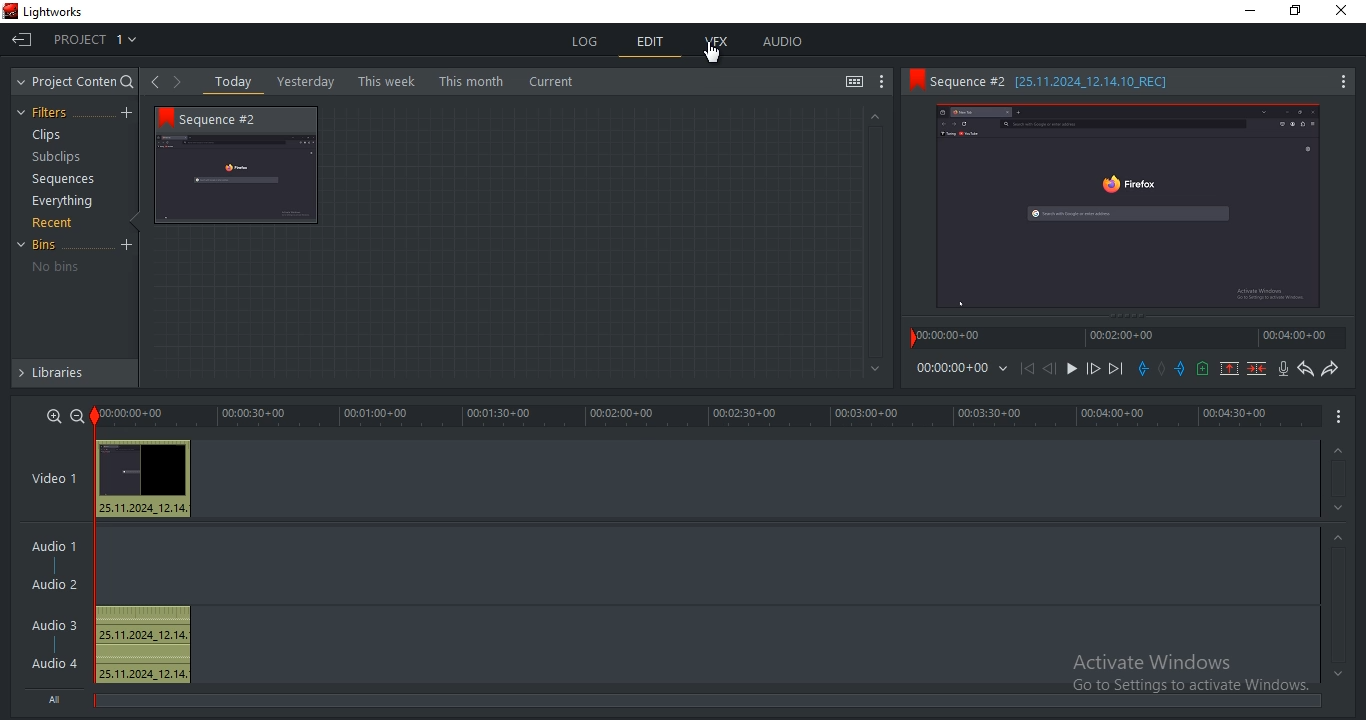 Image resolution: width=1366 pixels, height=720 pixels. What do you see at coordinates (1343, 509) in the screenshot?
I see `greyed out down arrow` at bounding box center [1343, 509].